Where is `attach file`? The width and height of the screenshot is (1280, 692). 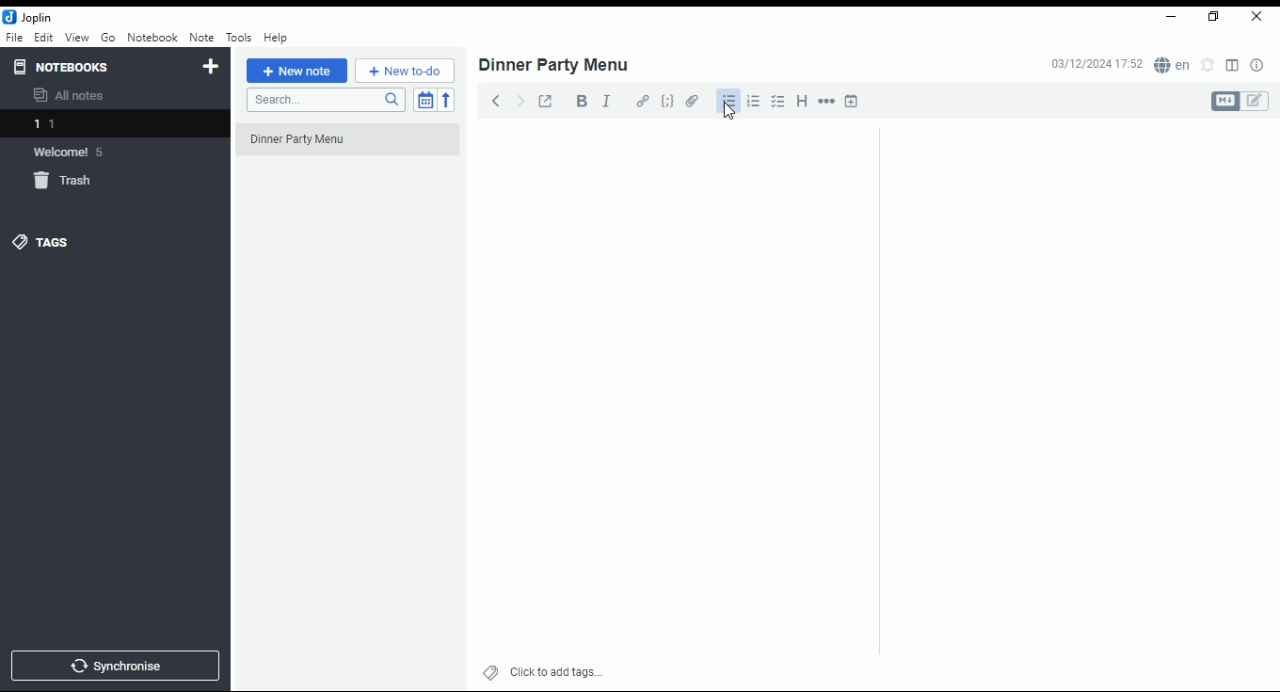
attach file is located at coordinates (695, 100).